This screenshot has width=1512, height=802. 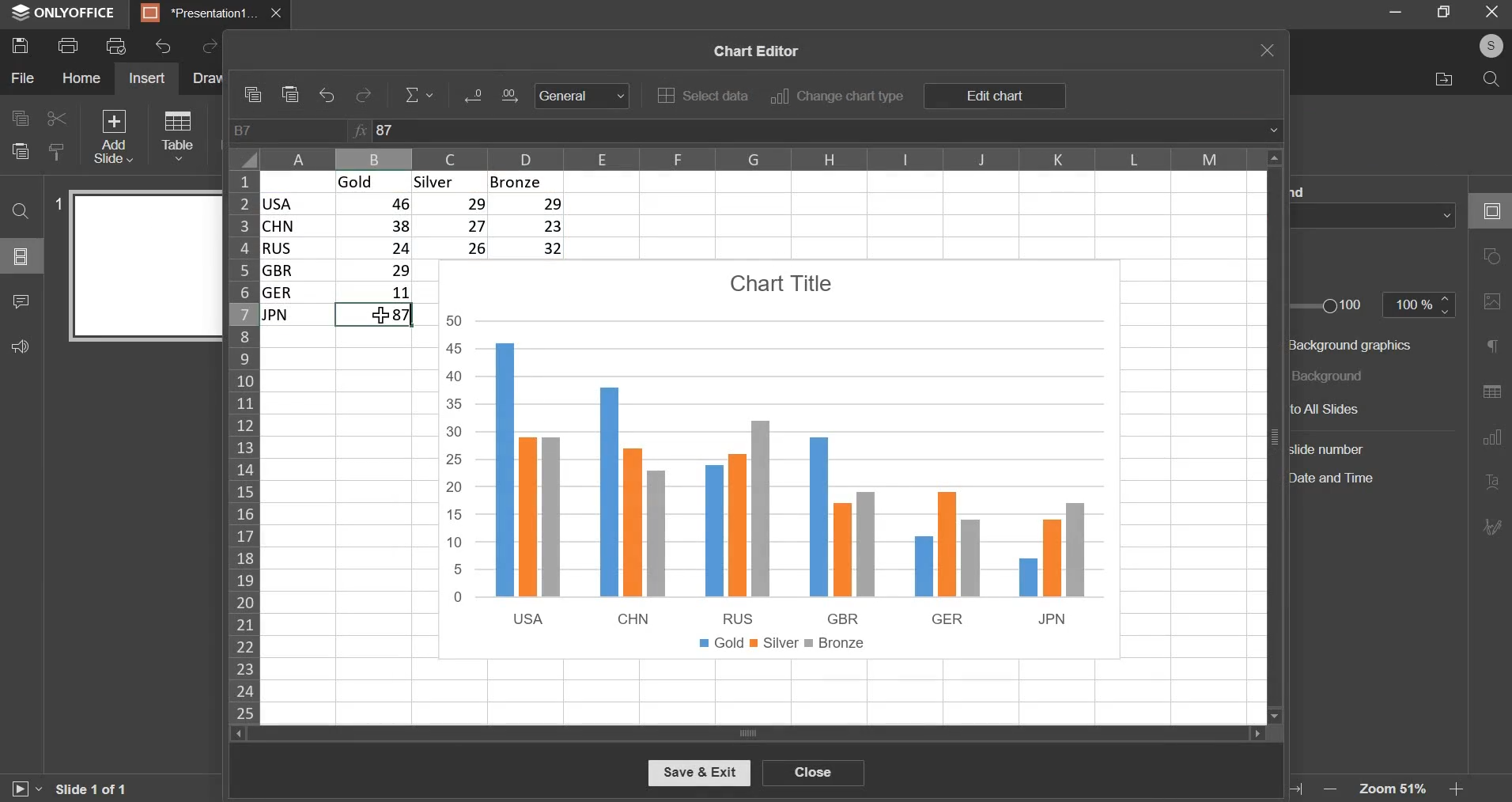 I want to click on paragraph settings, so click(x=1493, y=347).